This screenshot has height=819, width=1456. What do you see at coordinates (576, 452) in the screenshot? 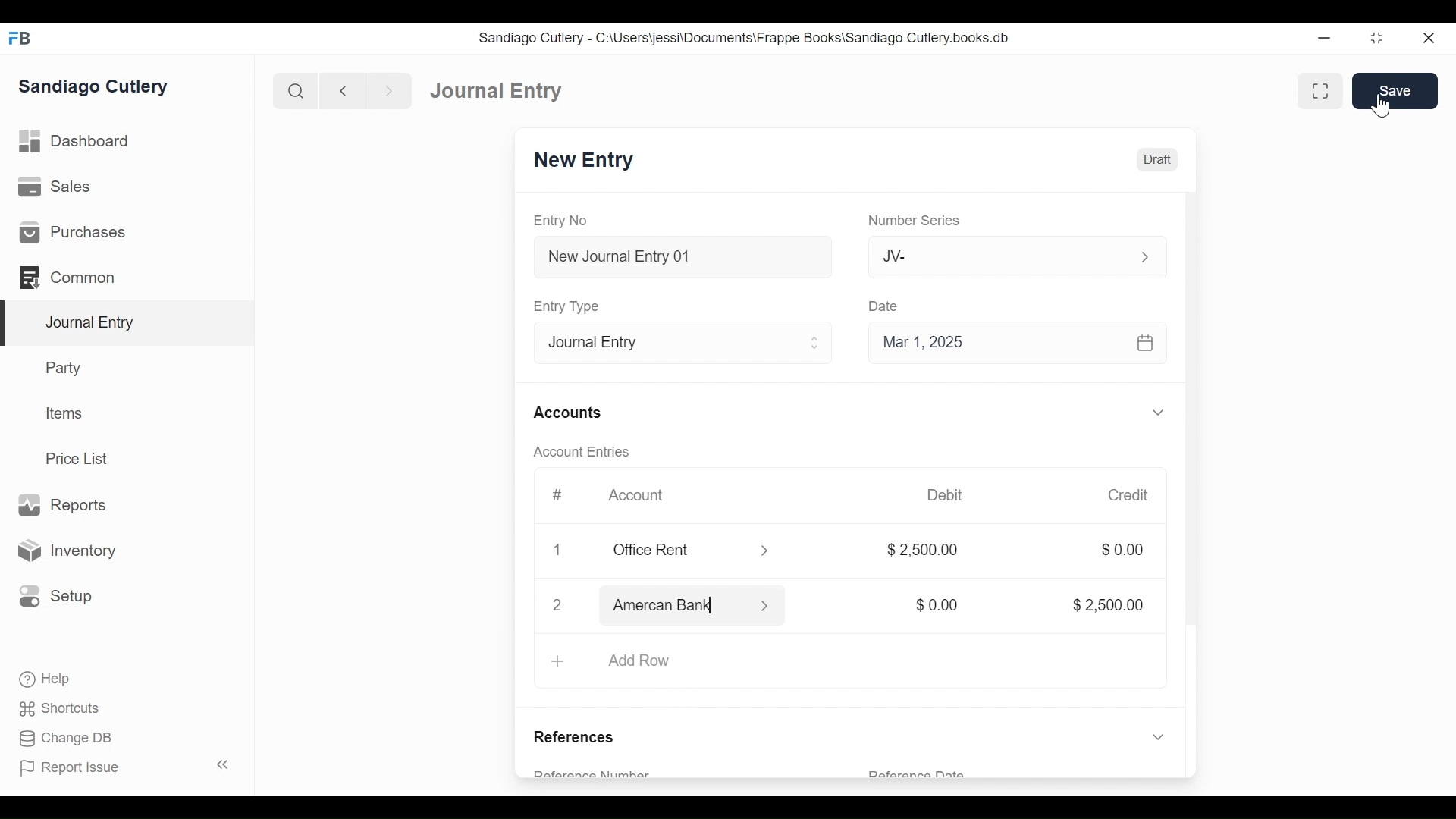
I see `Account Entries` at bounding box center [576, 452].